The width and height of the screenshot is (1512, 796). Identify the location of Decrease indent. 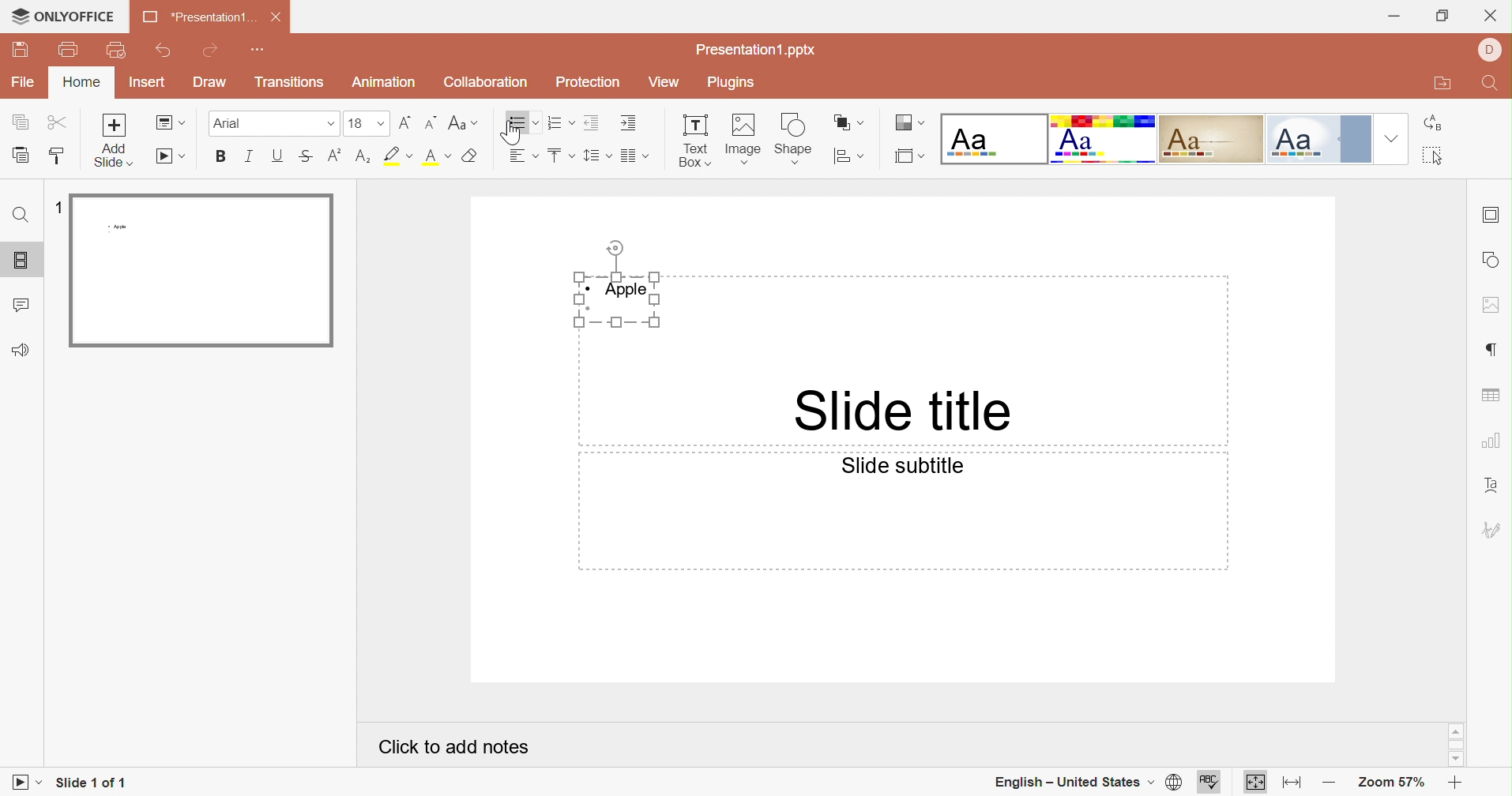
(590, 123).